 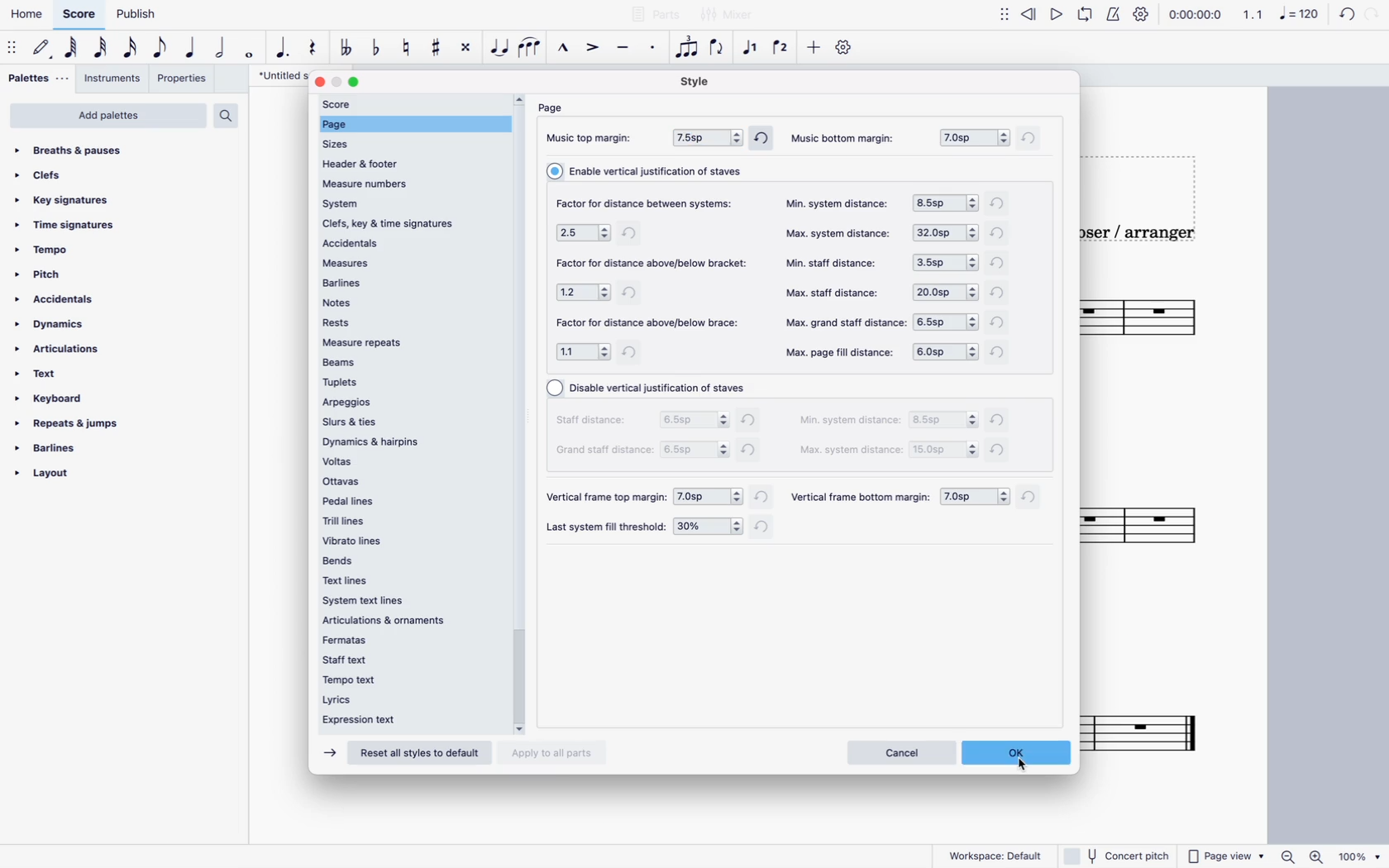 What do you see at coordinates (411, 104) in the screenshot?
I see `score` at bounding box center [411, 104].